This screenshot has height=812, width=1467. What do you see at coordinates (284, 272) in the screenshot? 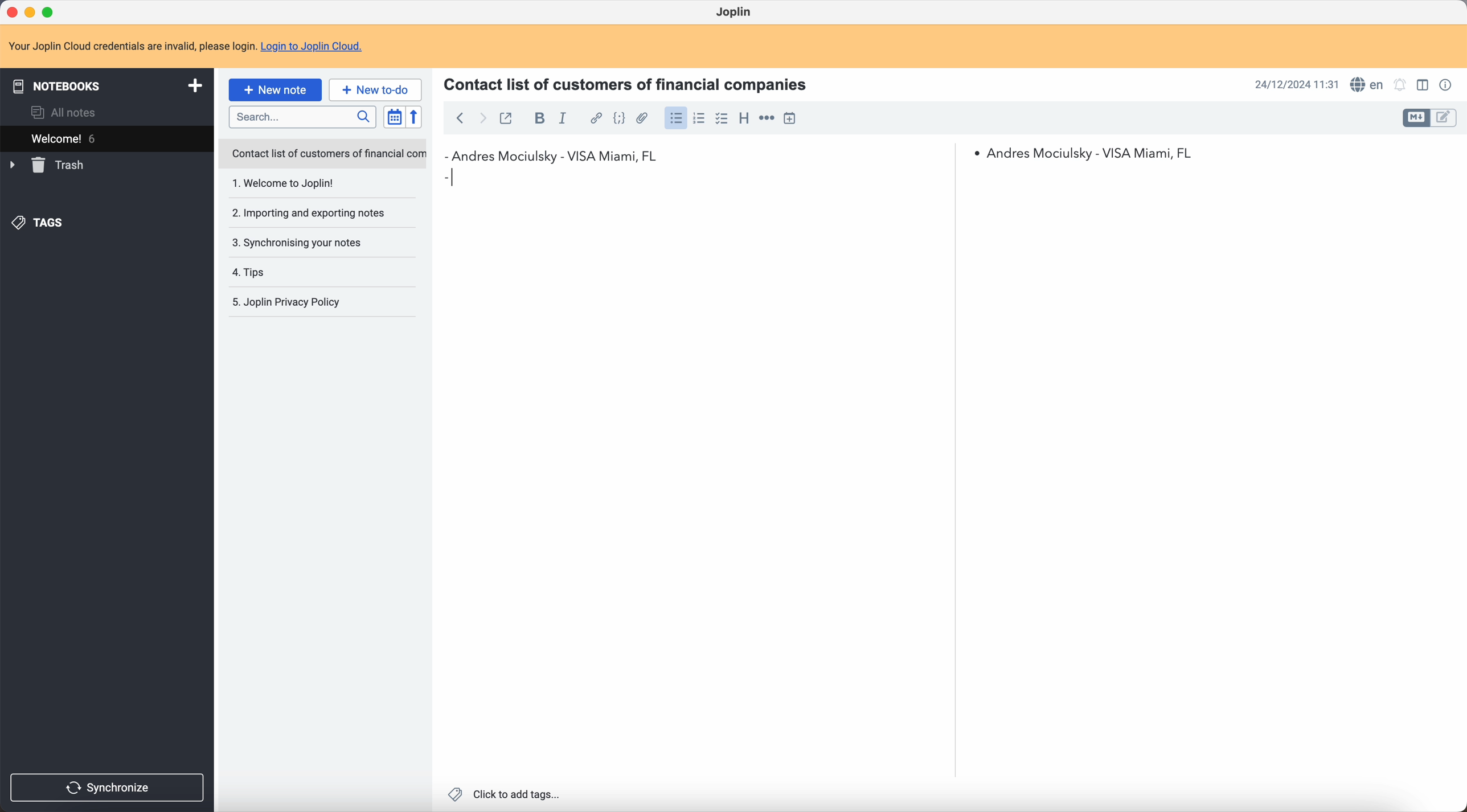
I see `4. Tips` at bounding box center [284, 272].